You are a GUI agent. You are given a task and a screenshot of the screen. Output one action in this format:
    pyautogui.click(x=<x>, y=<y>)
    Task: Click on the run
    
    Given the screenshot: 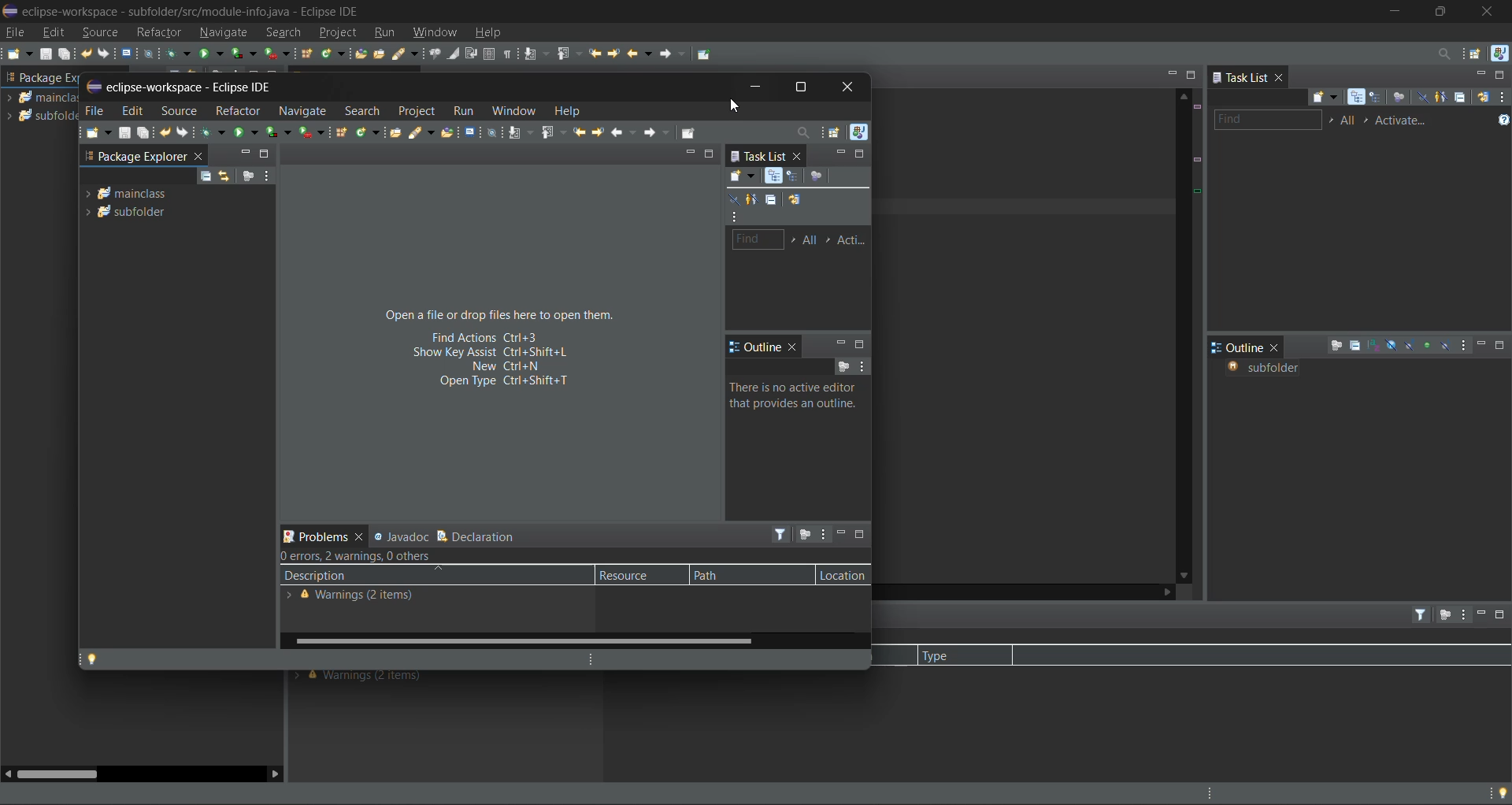 What is the action you would take?
    pyautogui.click(x=246, y=132)
    